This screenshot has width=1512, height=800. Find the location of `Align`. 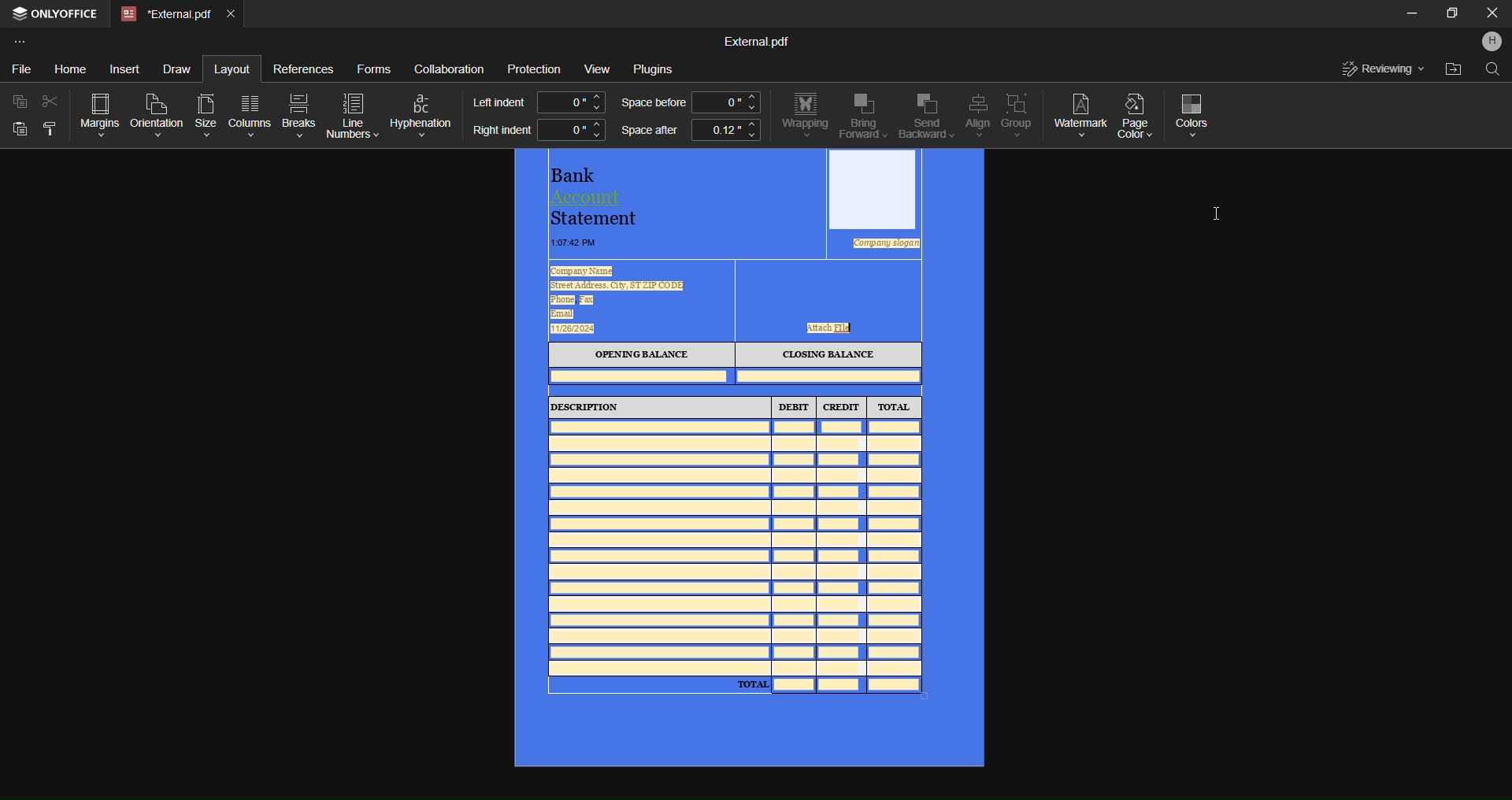

Align is located at coordinates (980, 117).